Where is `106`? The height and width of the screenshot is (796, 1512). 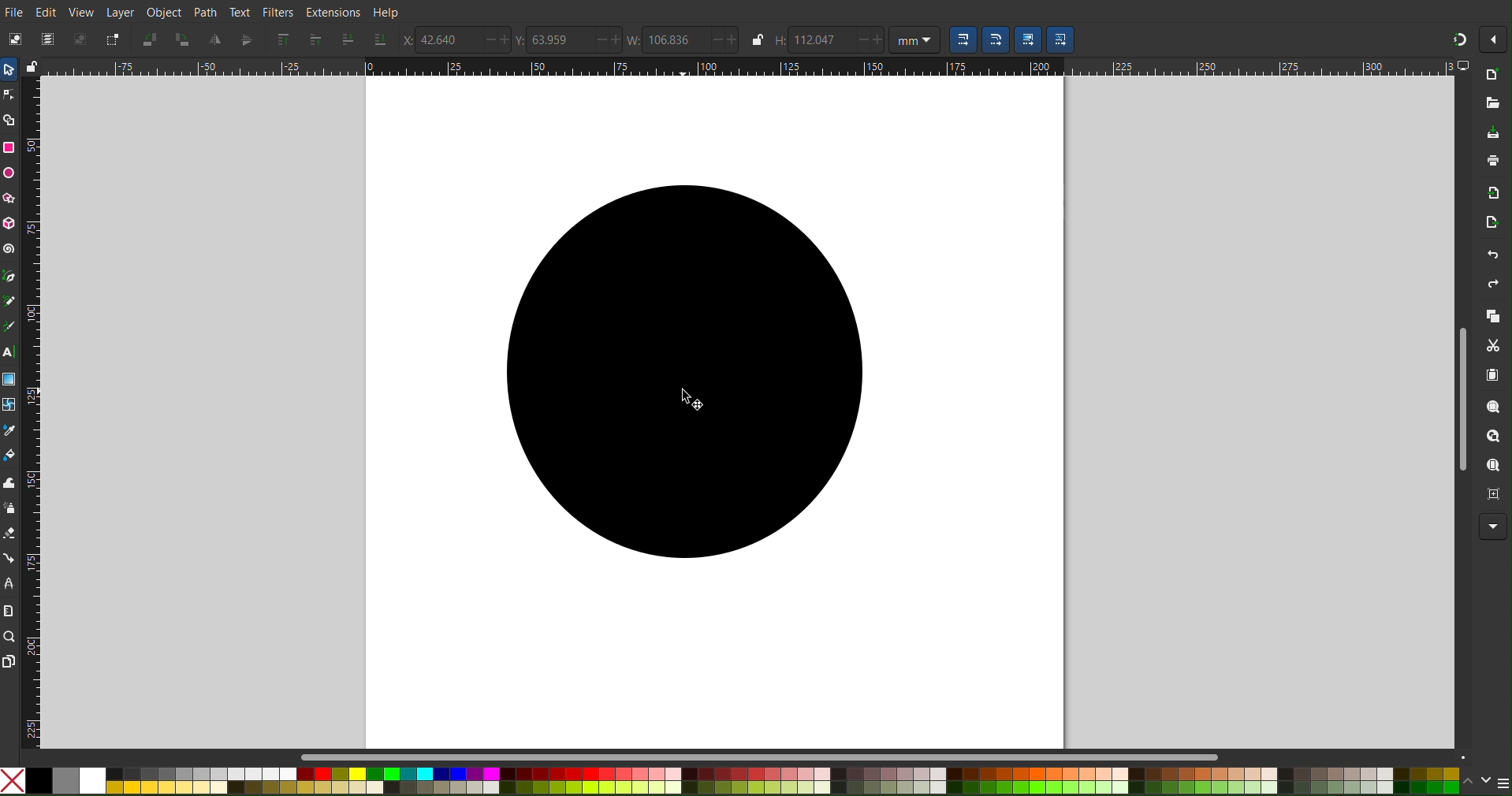
106 is located at coordinates (676, 39).